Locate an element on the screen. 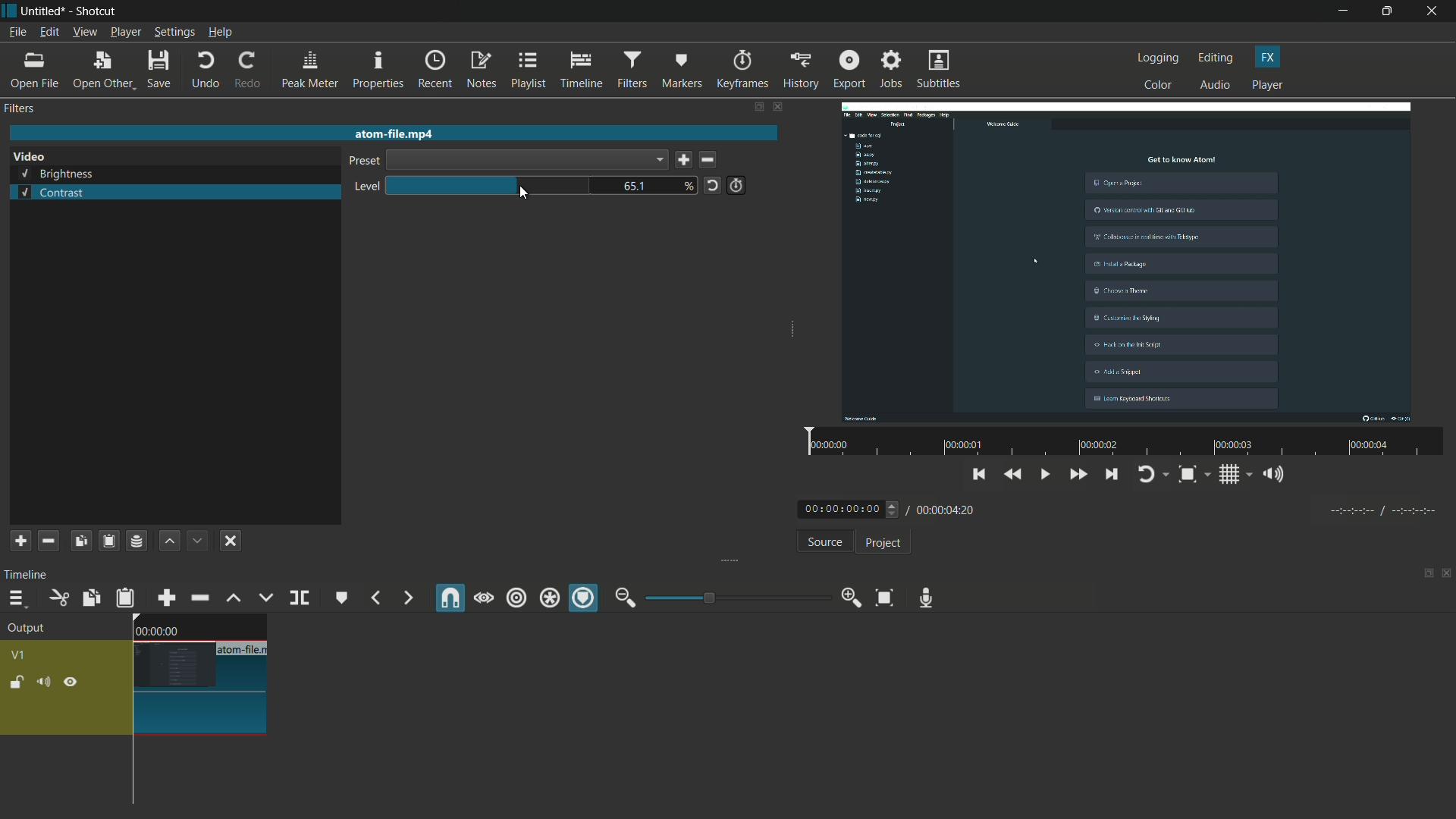 The image size is (1456, 819). Untitled (file name) is located at coordinates (46, 11).